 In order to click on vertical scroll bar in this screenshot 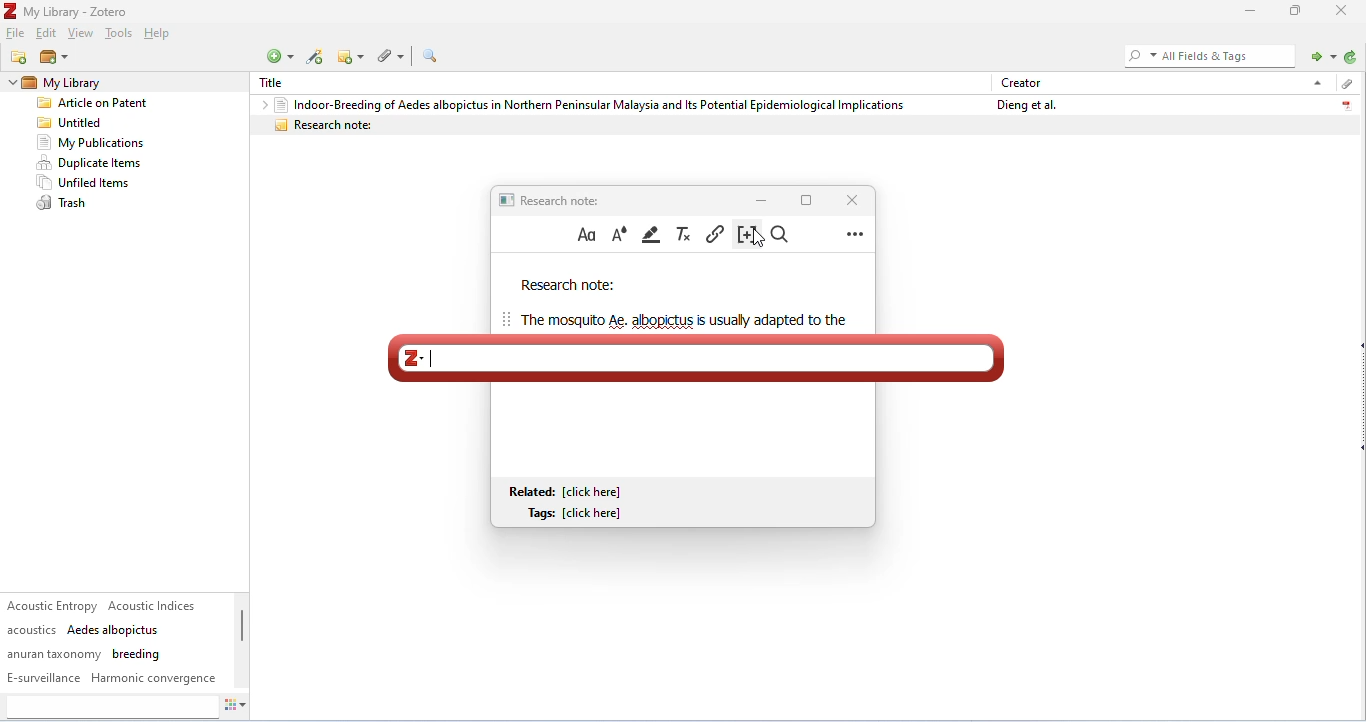, I will do `click(242, 636)`.